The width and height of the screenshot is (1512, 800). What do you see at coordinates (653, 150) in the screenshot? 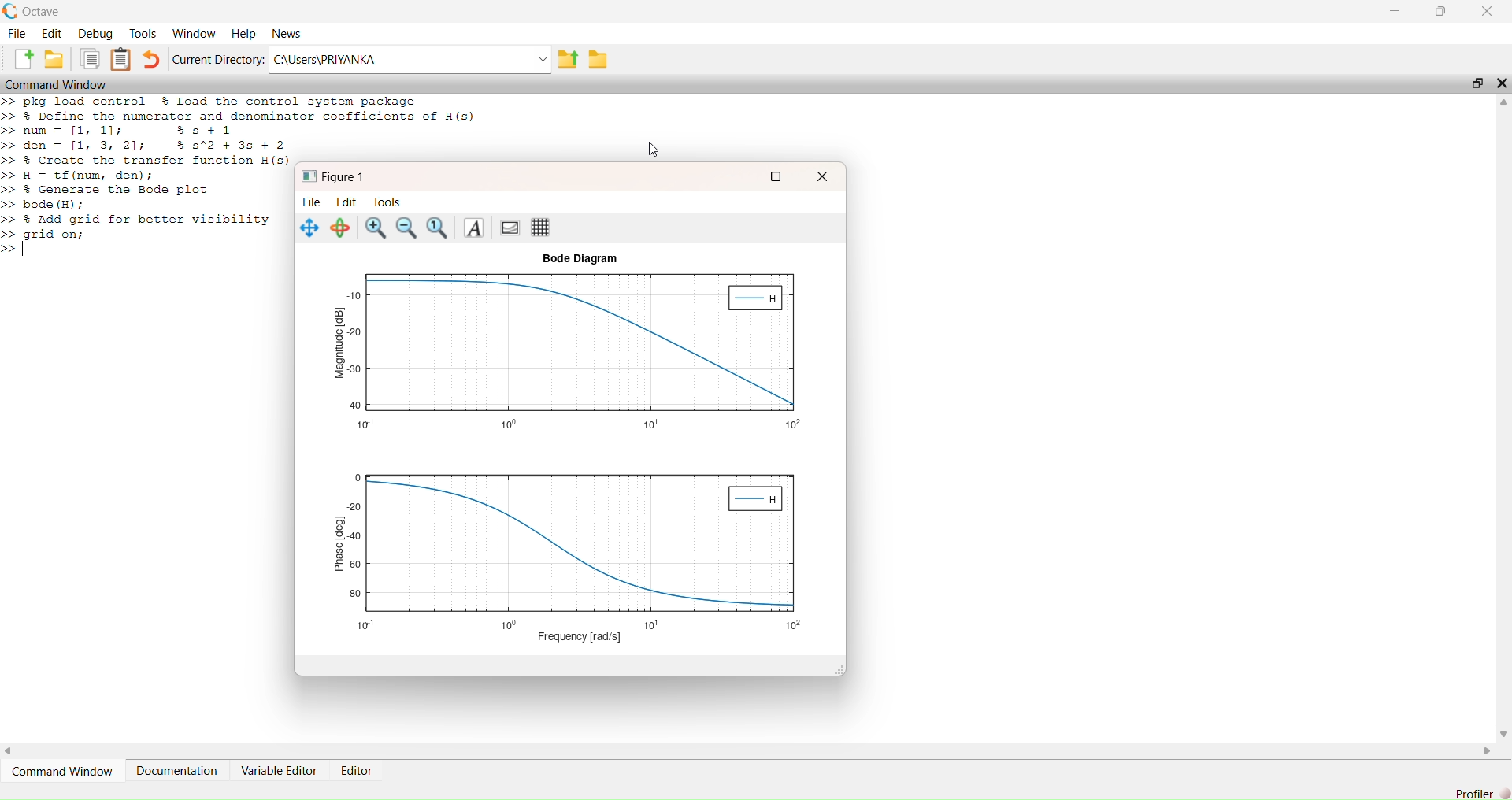
I see `cursor` at bounding box center [653, 150].